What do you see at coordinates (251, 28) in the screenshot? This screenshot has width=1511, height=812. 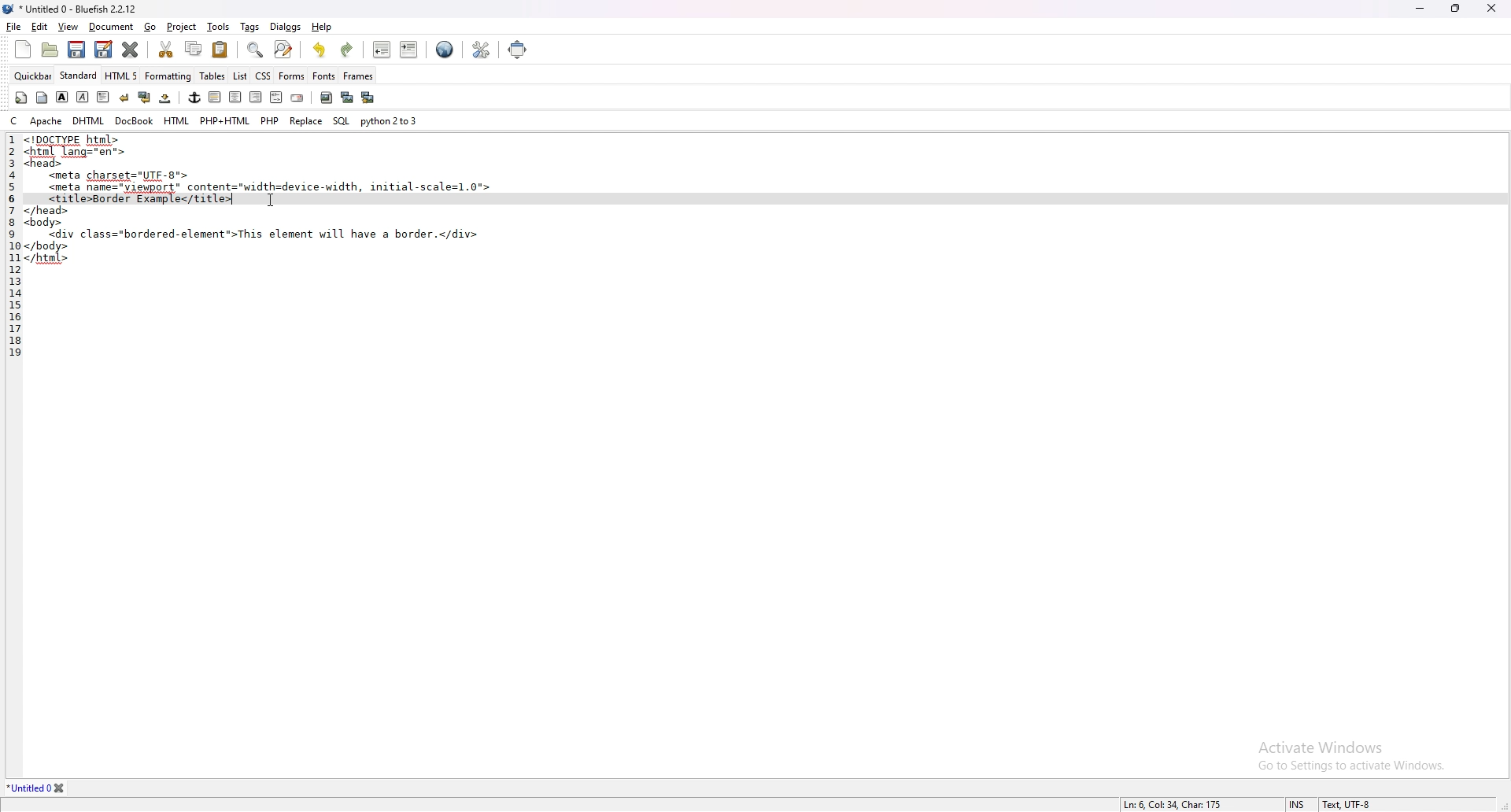 I see `tags` at bounding box center [251, 28].